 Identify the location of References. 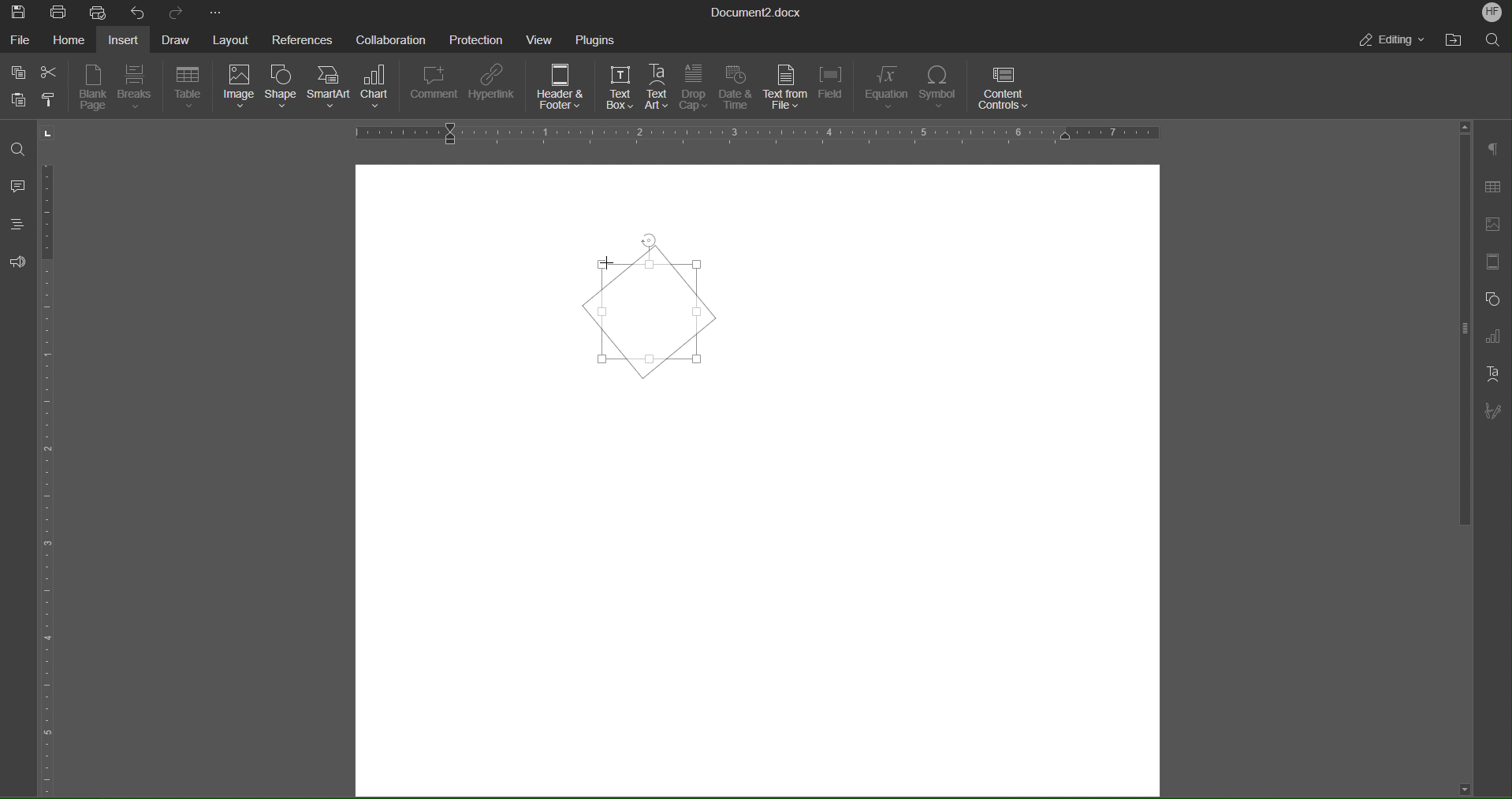
(300, 39).